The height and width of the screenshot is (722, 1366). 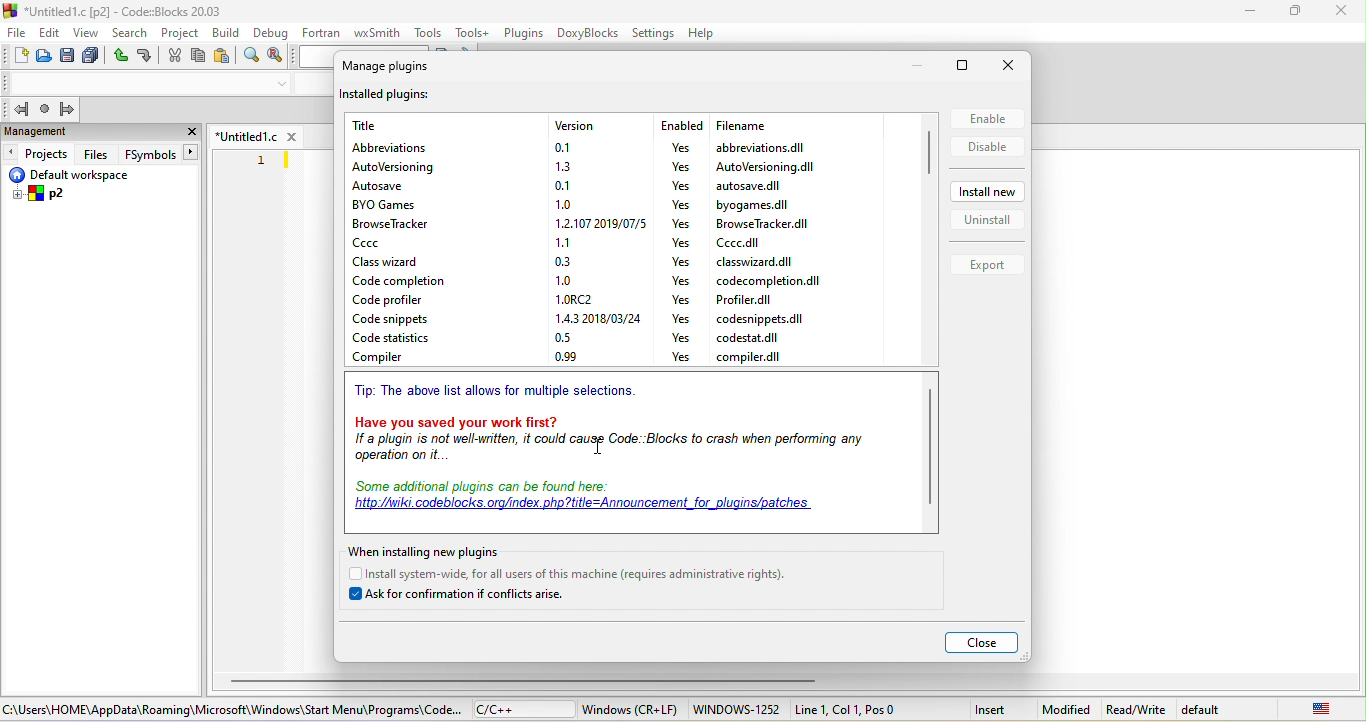 I want to click on install new, so click(x=990, y=194).